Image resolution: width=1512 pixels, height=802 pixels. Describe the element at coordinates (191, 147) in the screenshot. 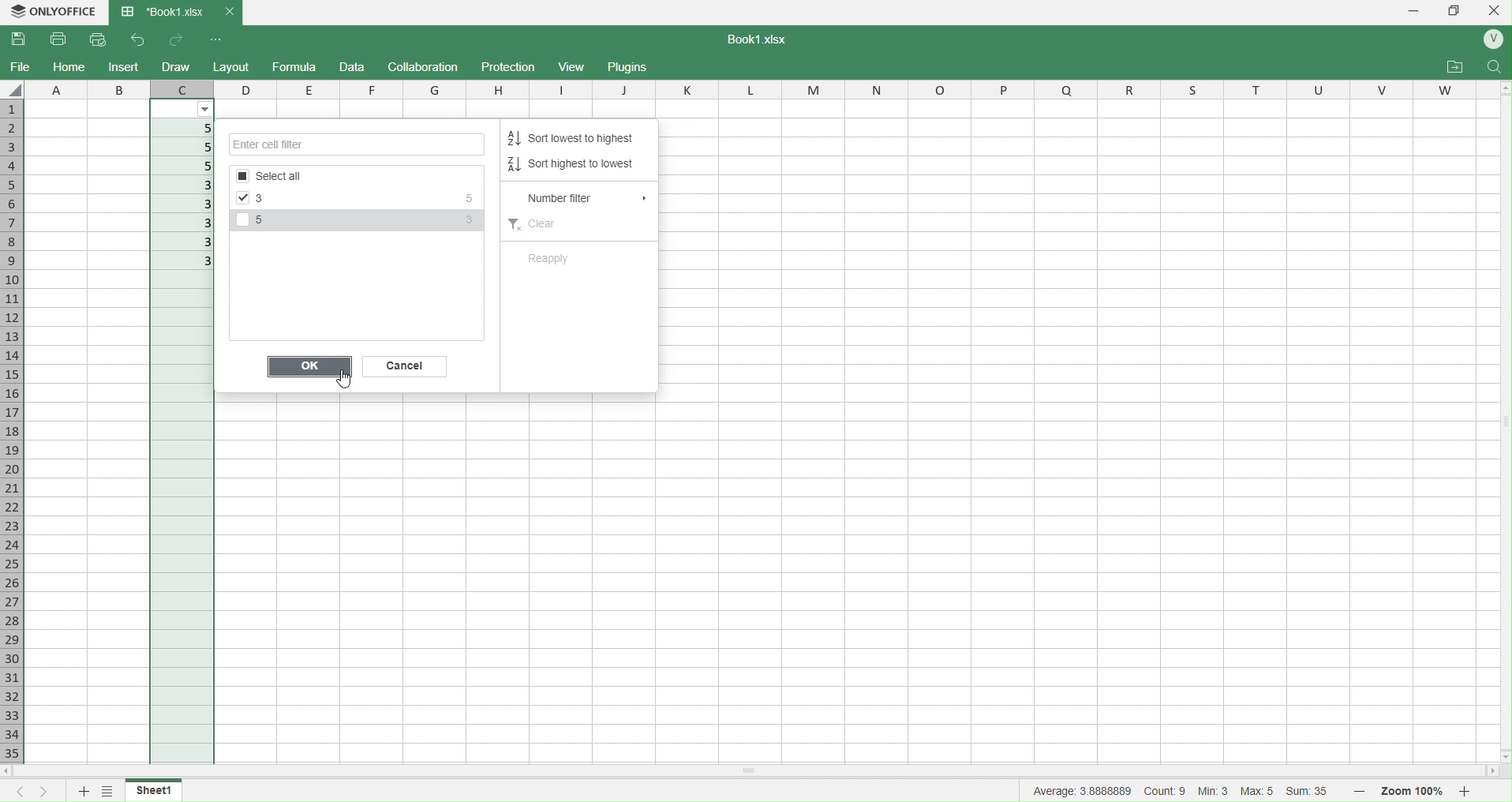

I see `5` at that location.